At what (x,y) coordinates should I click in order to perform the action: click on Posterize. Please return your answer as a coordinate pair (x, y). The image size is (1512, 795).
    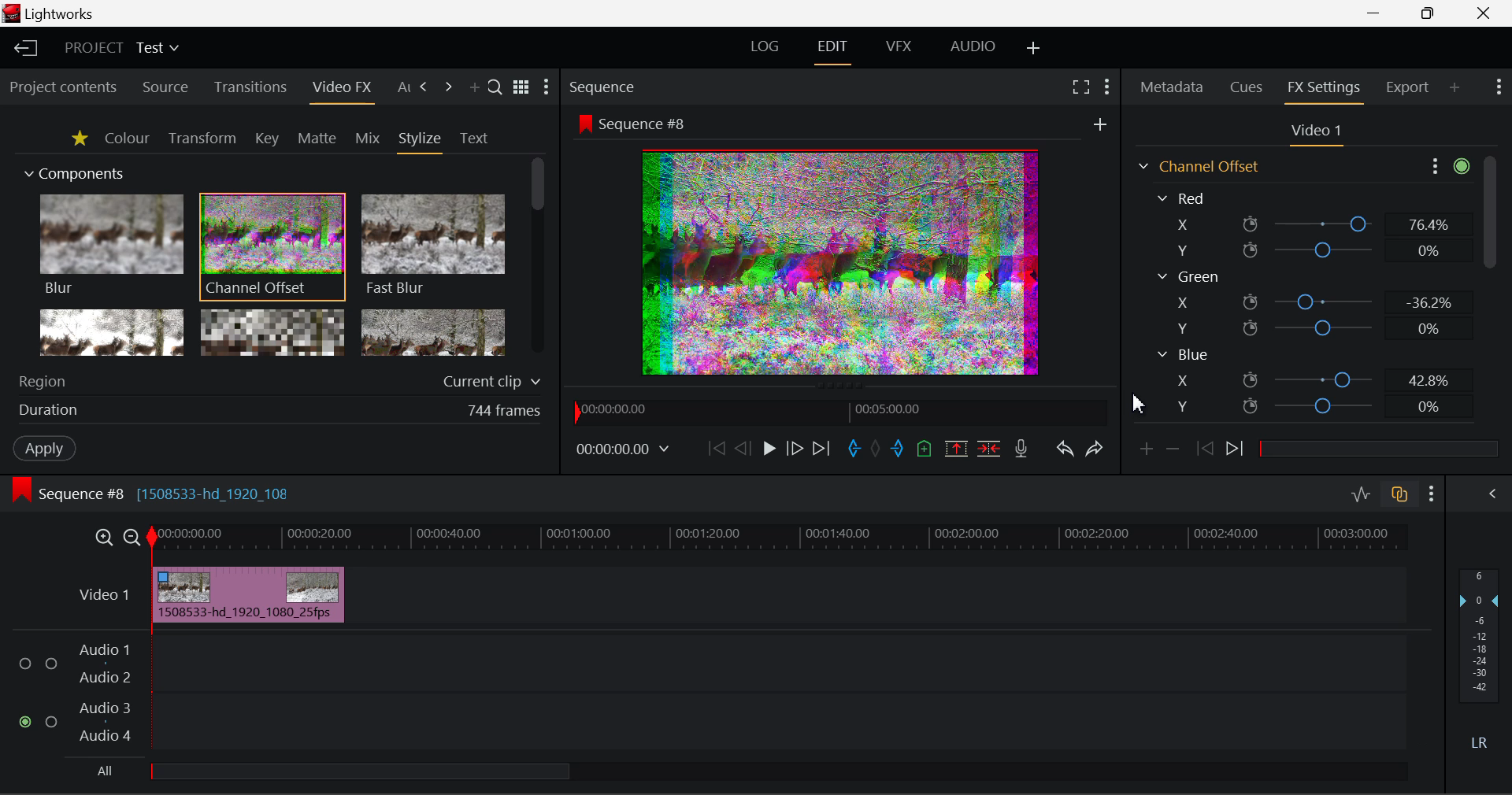
    Looking at the image, I should click on (433, 331).